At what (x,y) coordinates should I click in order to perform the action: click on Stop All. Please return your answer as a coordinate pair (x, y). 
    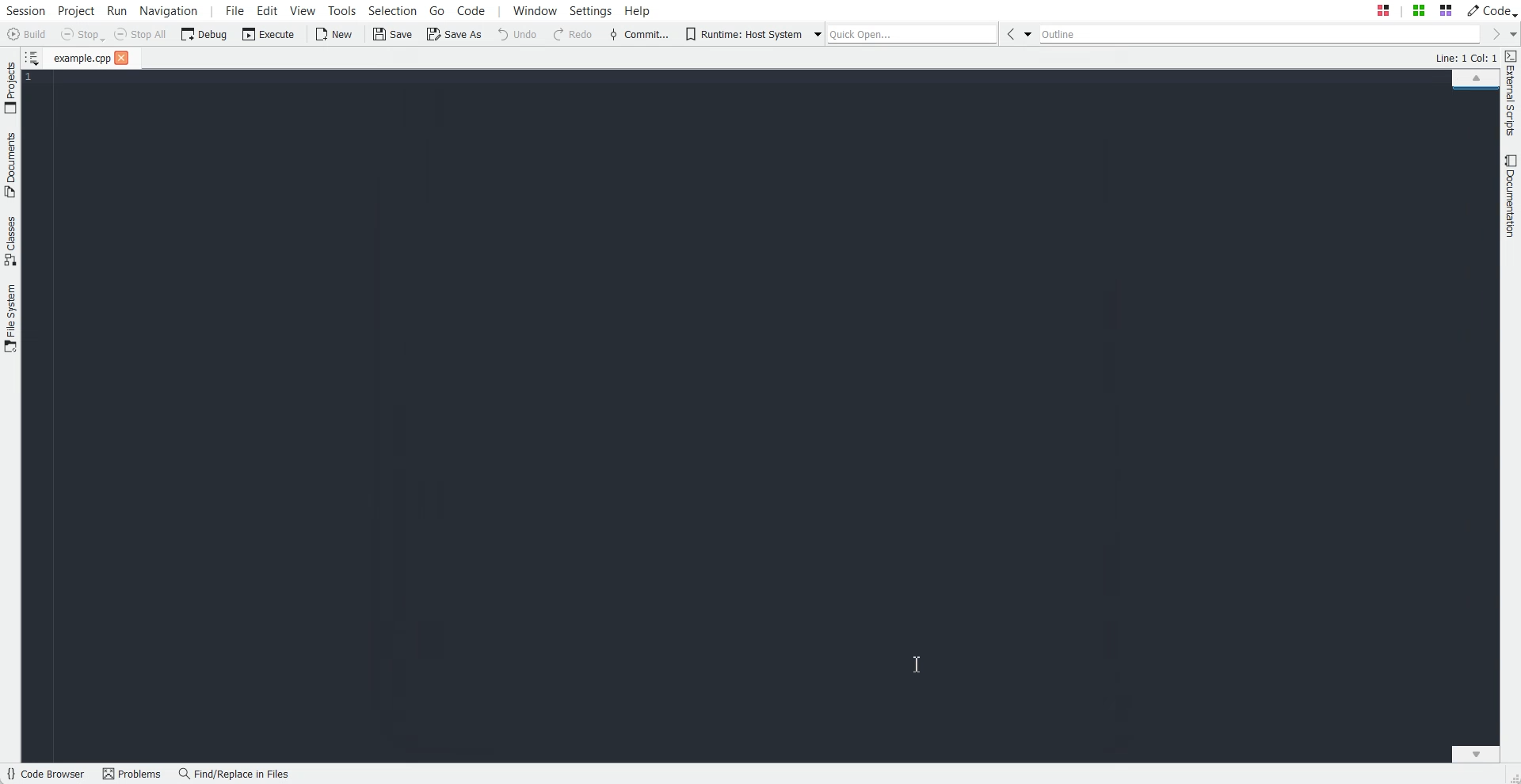
    Looking at the image, I should click on (139, 34).